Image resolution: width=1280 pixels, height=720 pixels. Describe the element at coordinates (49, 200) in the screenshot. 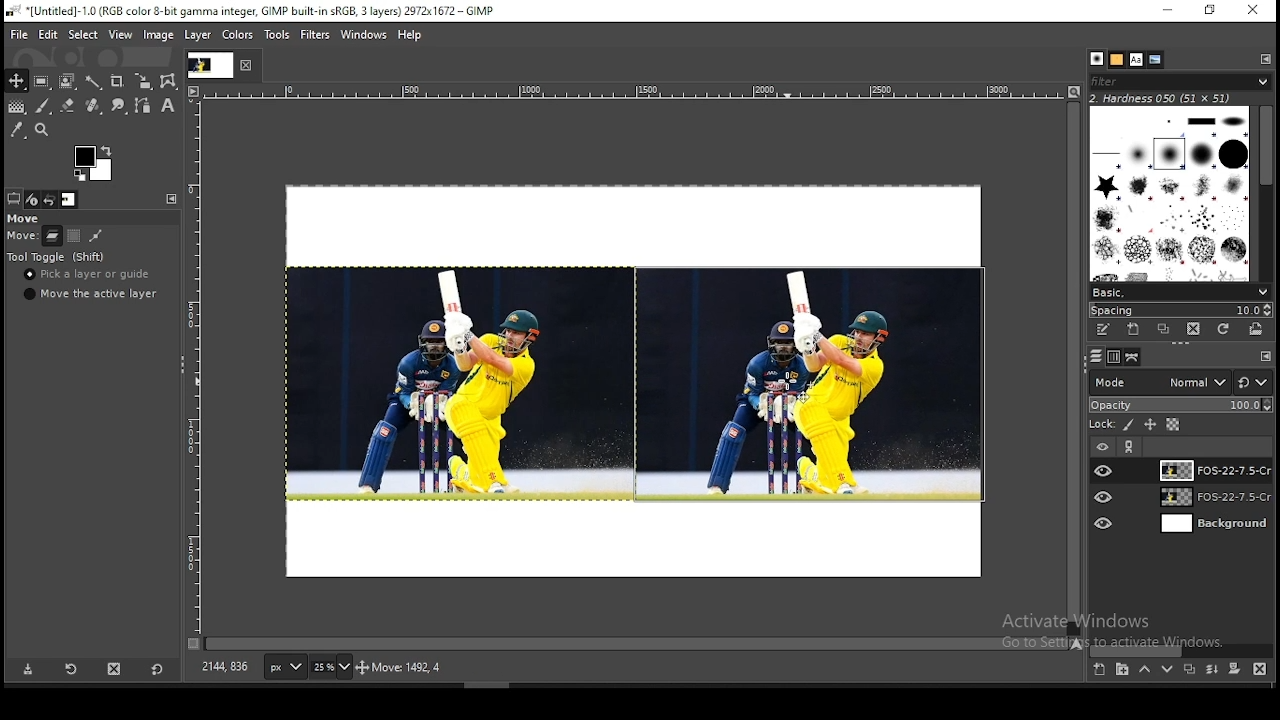

I see `undo history` at that location.